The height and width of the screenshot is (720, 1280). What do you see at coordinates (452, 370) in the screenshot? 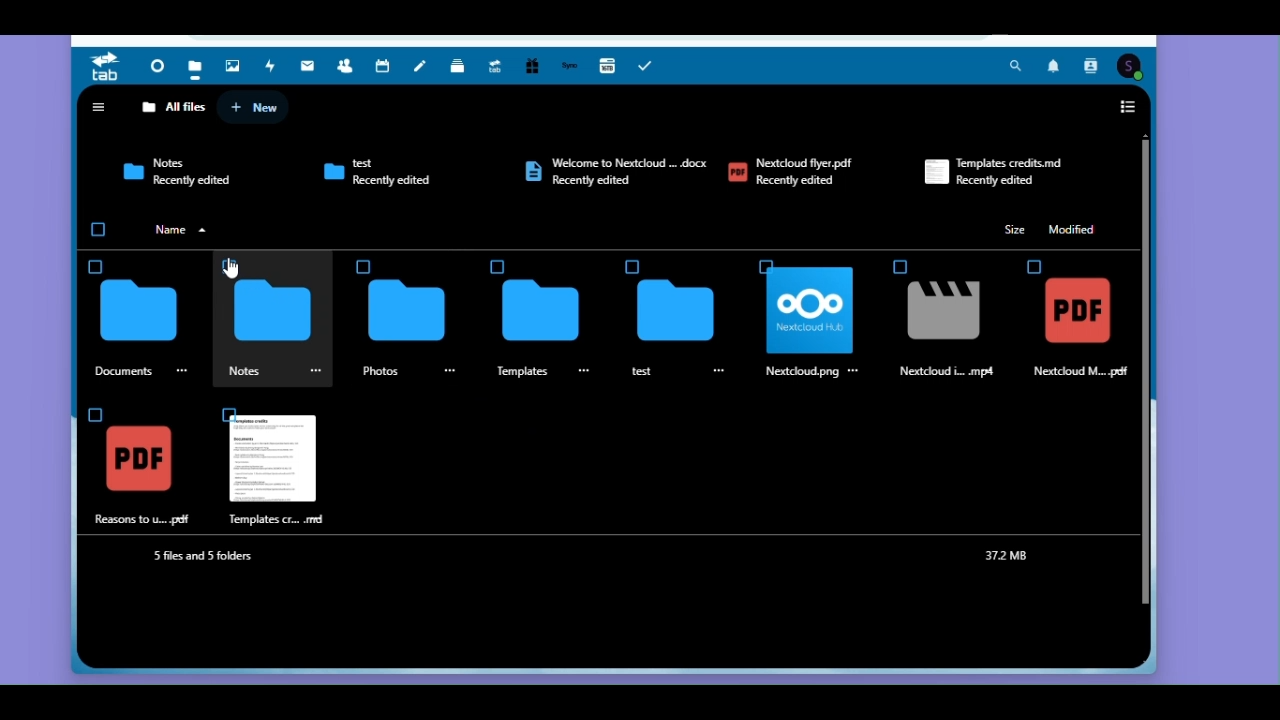
I see `` at bounding box center [452, 370].